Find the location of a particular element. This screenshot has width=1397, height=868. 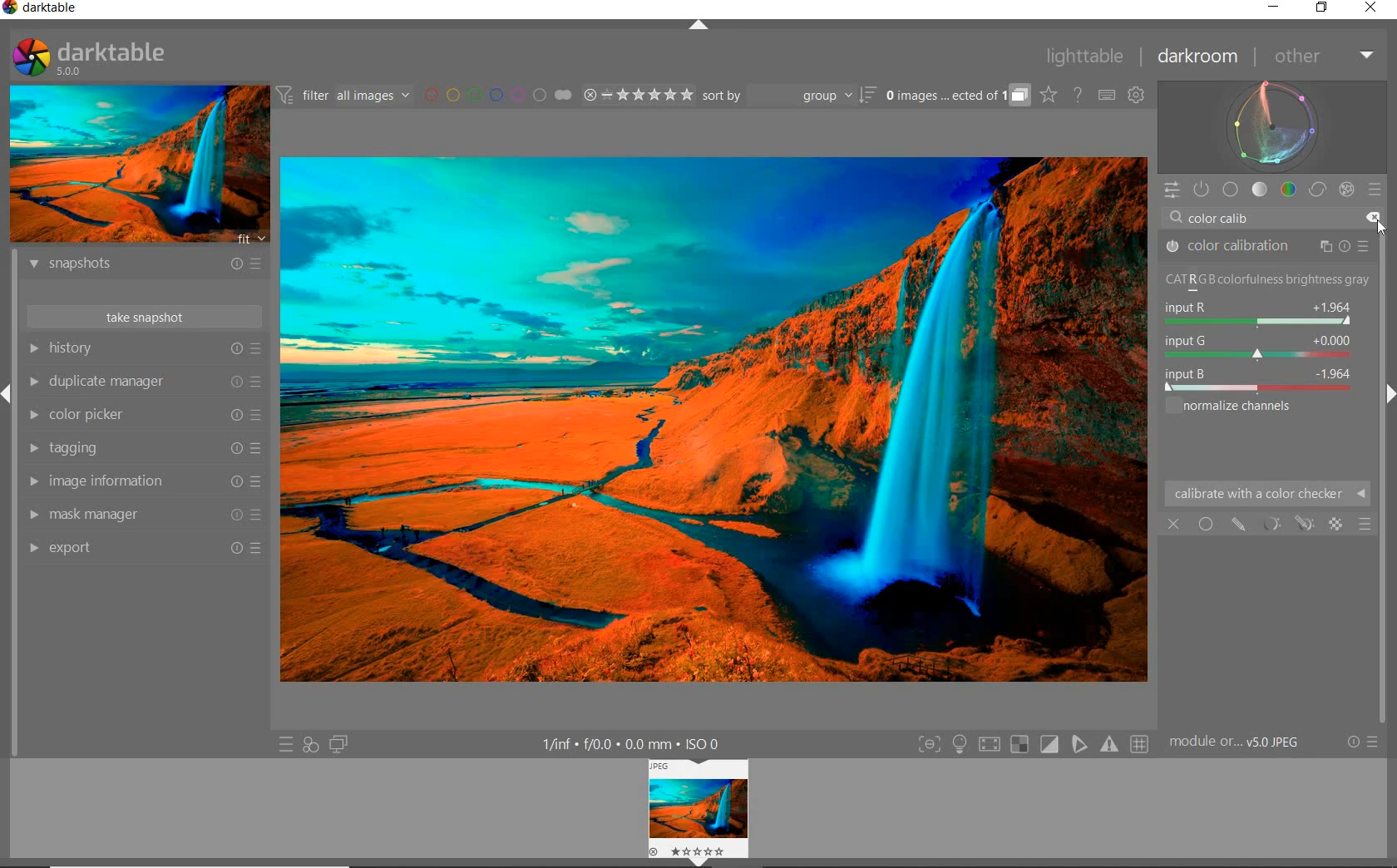

EXPAND GROUPED IMAGES is located at coordinates (958, 96).